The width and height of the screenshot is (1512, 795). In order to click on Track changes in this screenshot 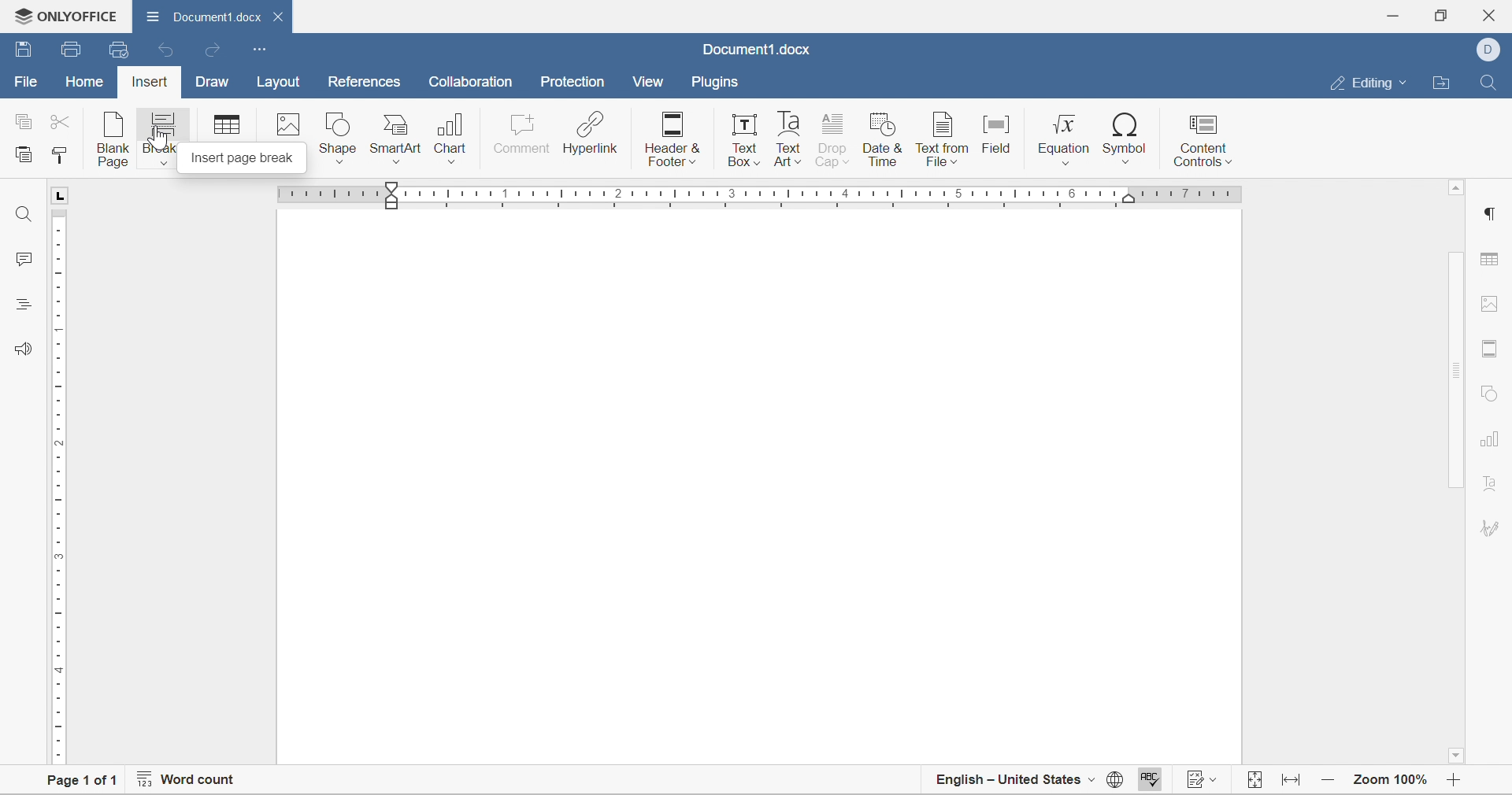, I will do `click(1255, 782)`.